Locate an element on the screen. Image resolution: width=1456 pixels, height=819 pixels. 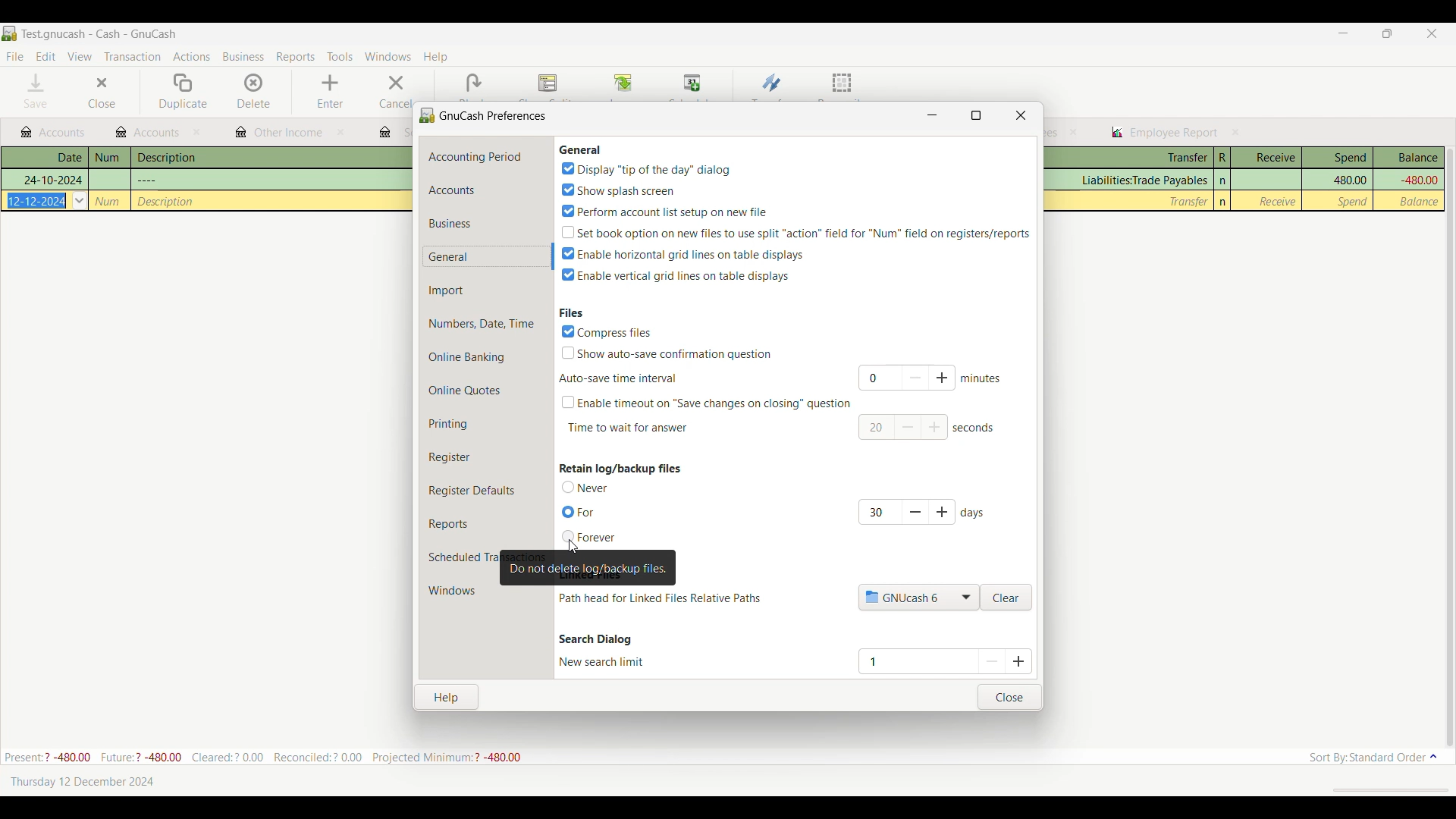
Accounting period, highlighted as current selection is located at coordinates (487, 156).